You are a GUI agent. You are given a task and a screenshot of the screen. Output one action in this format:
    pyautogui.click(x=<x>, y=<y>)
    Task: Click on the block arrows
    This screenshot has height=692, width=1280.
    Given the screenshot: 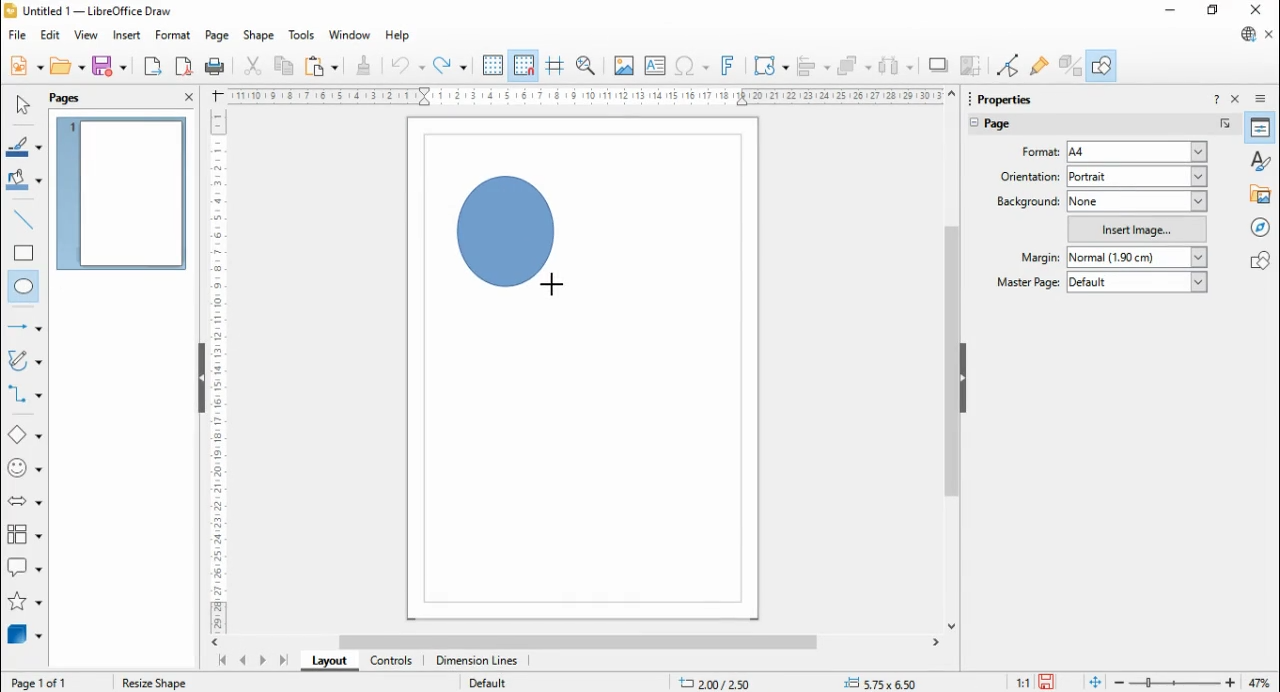 What is the action you would take?
    pyautogui.click(x=27, y=503)
    